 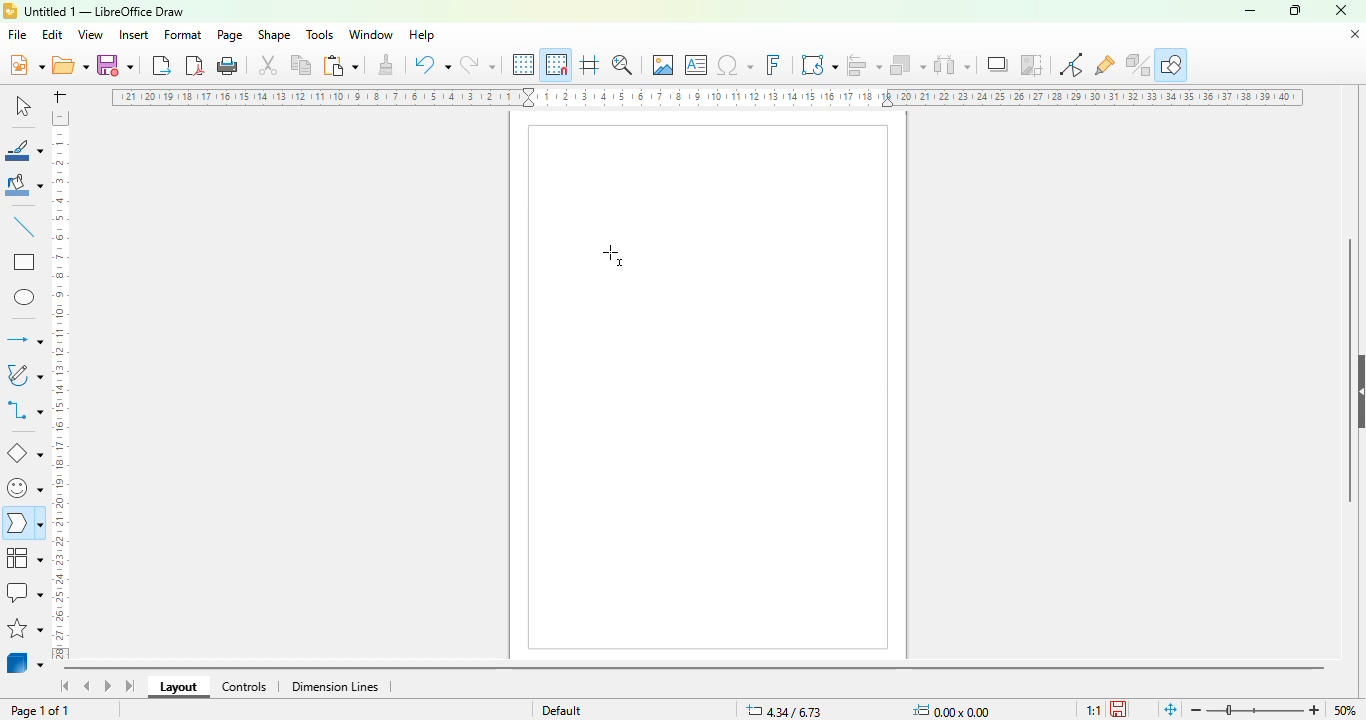 What do you see at coordinates (1314, 710) in the screenshot?
I see `zoom in` at bounding box center [1314, 710].